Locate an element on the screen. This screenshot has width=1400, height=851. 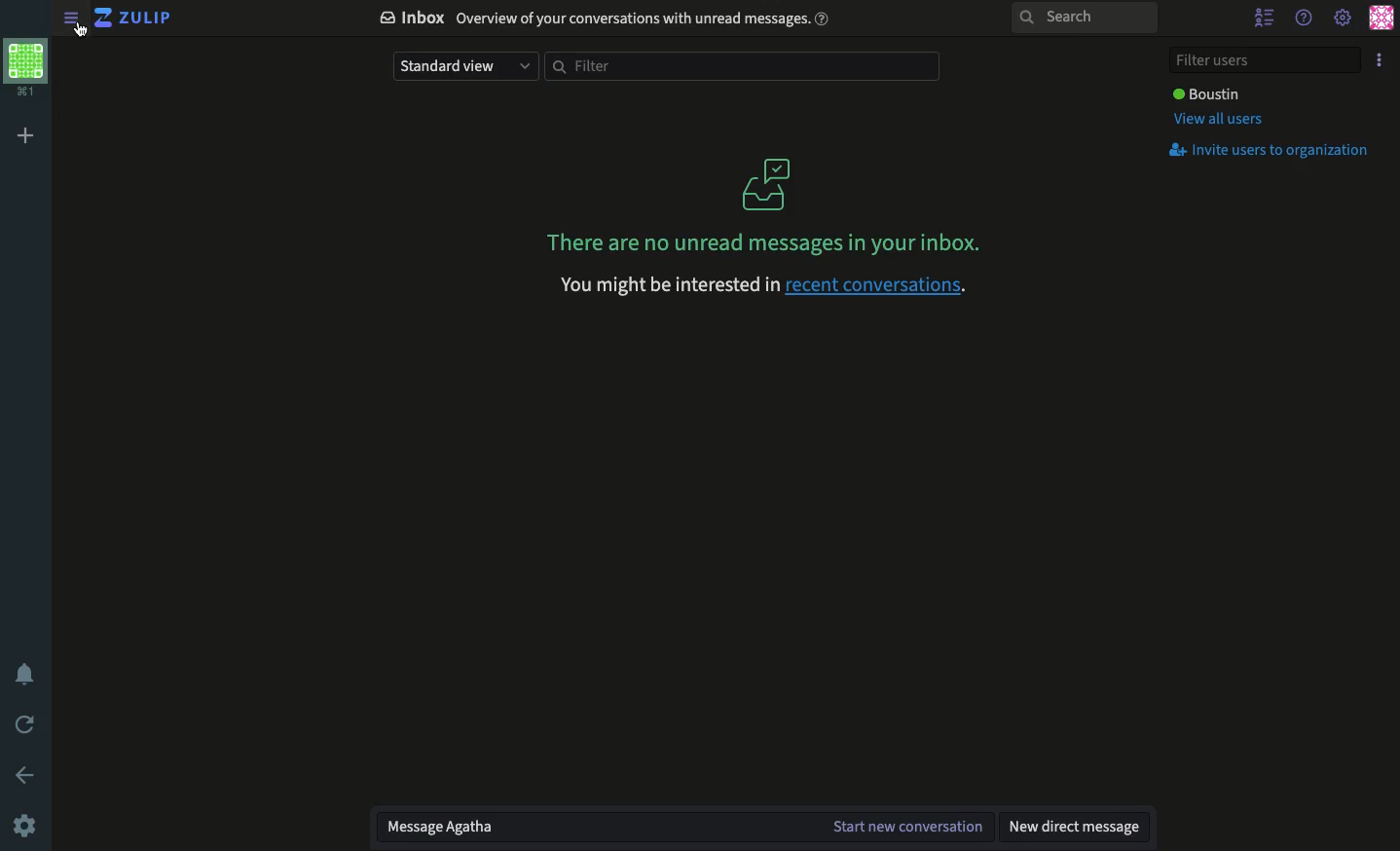
Hide menu is located at coordinates (64, 18).